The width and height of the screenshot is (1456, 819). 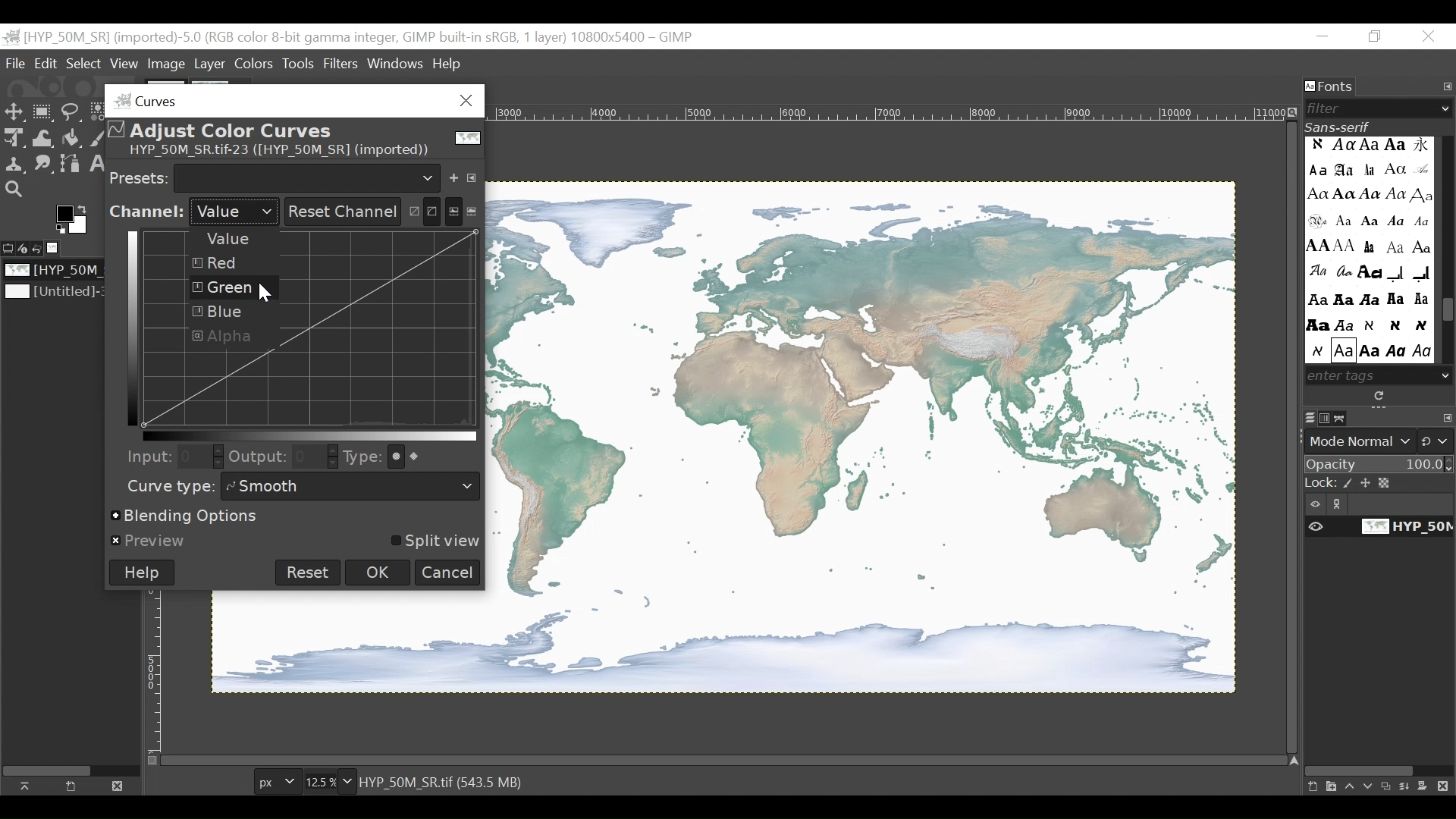 I want to click on Preview, so click(x=149, y=541).